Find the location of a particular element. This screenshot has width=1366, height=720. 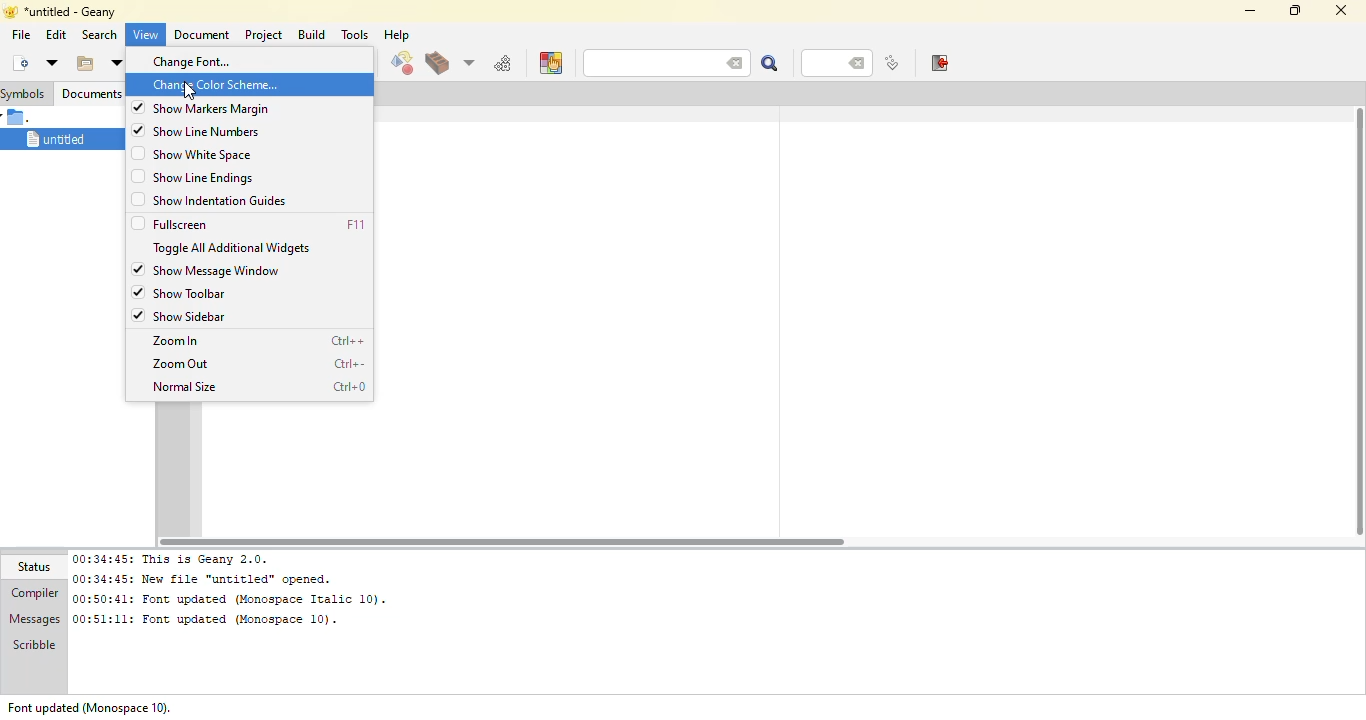

enabled is located at coordinates (137, 107).